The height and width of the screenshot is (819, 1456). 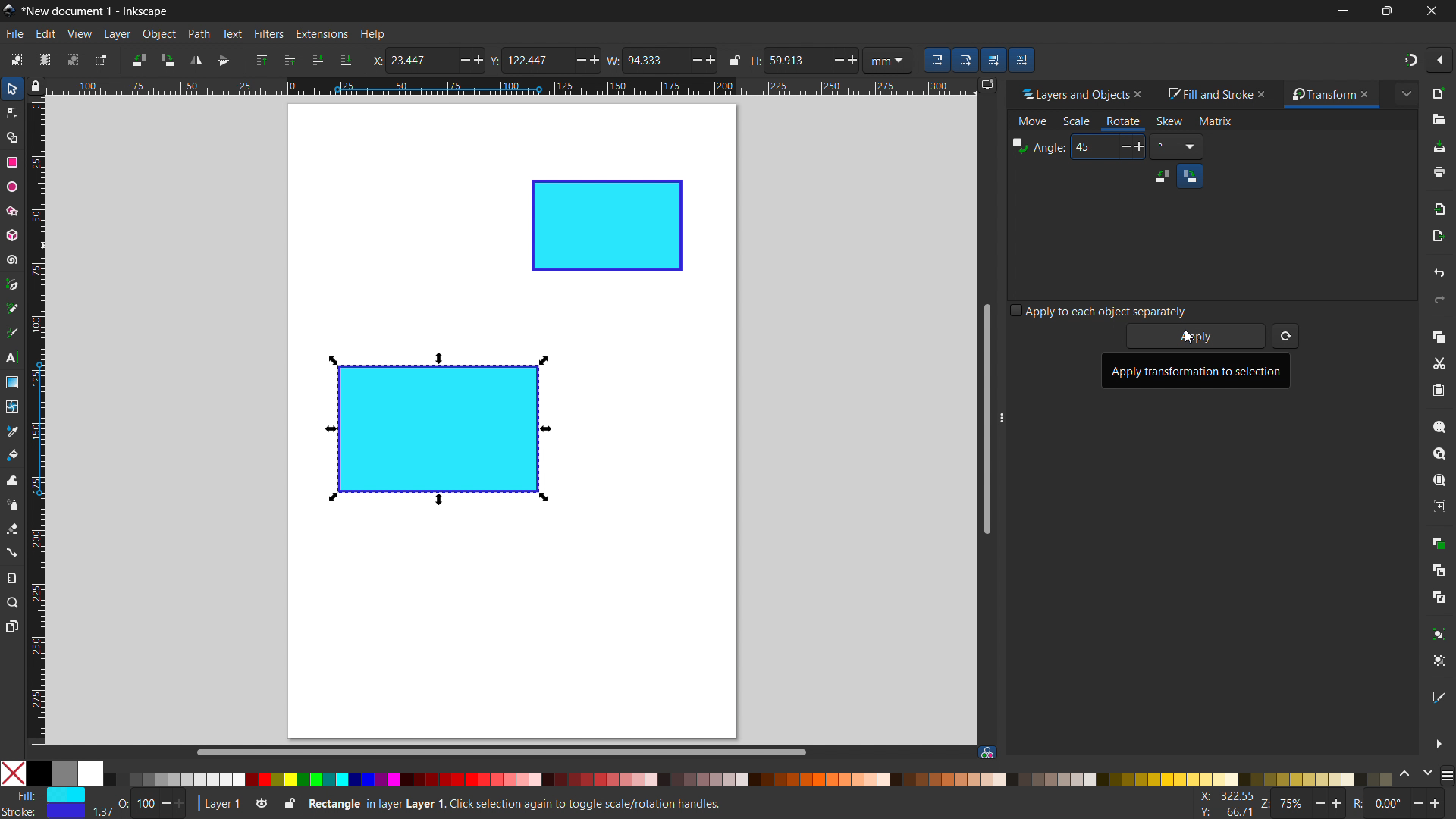 What do you see at coordinates (1038, 147) in the screenshot?
I see `Angle` at bounding box center [1038, 147].